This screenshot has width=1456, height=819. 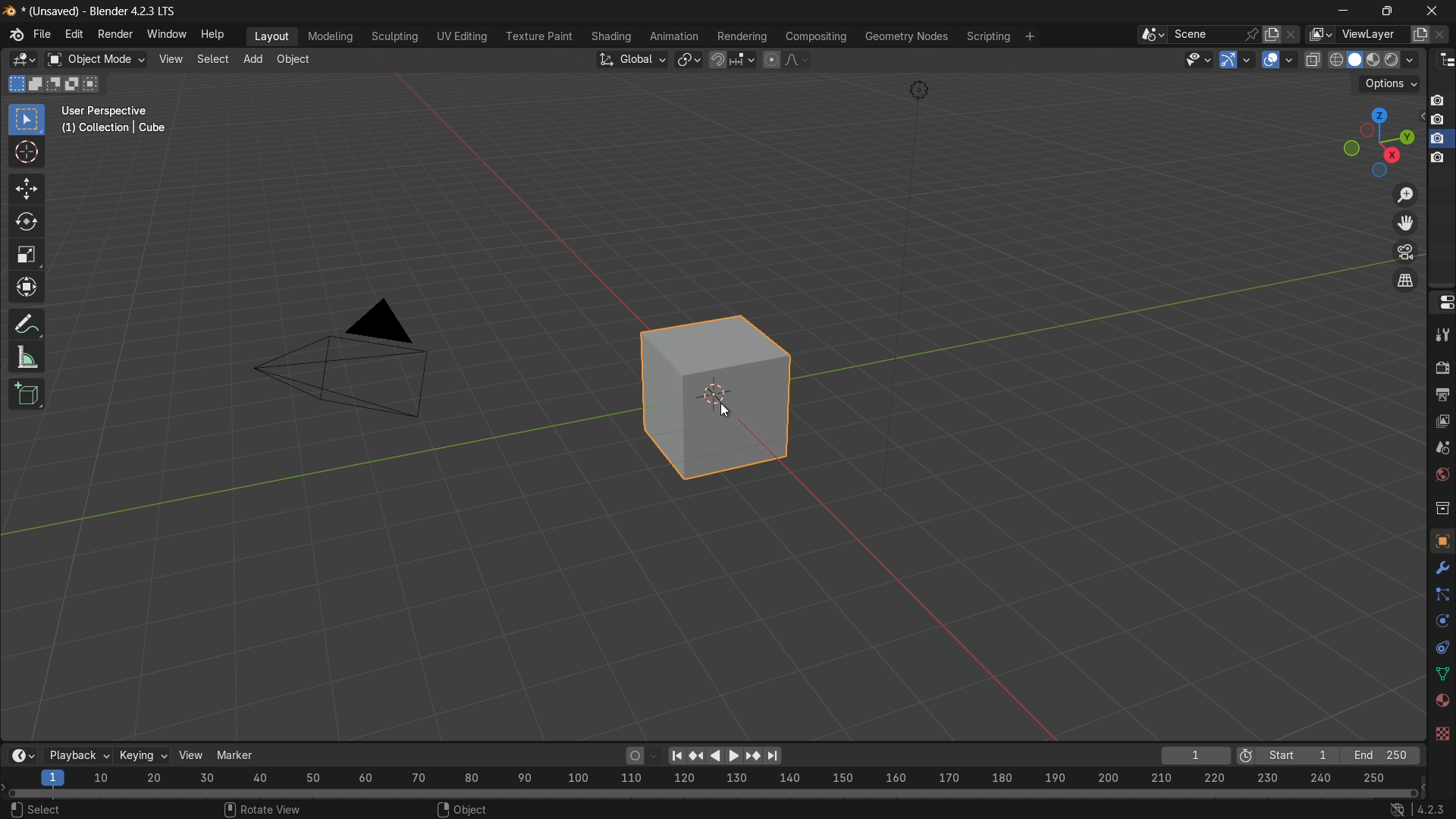 I want to click on jump to endpoint, so click(x=771, y=755).